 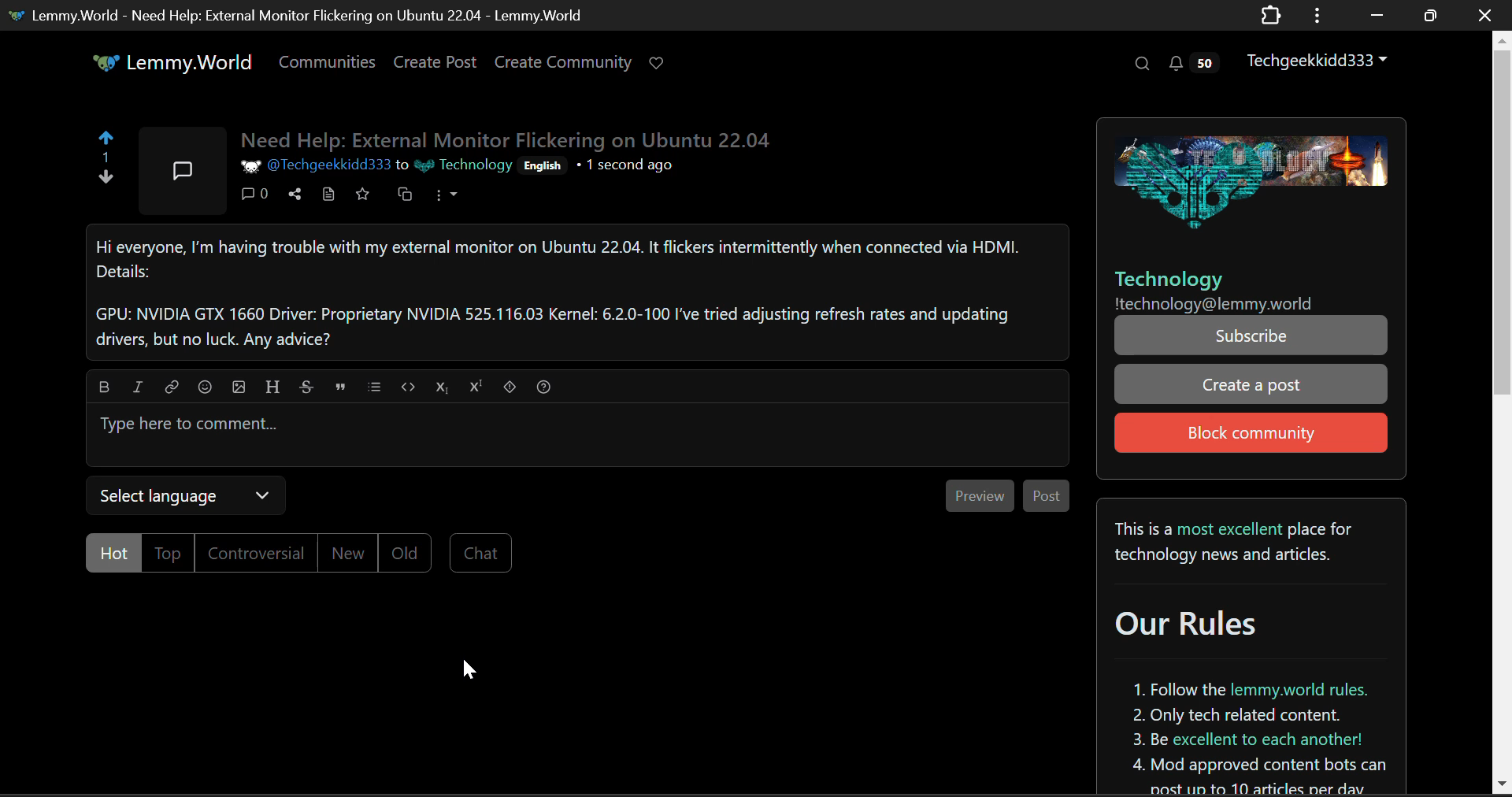 What do you see at coordinates (294, 14) in the screenshot?
I see `Lemmy.World - Need Help: External Monitor Flickering on Ubuntu 22.04 - Lemmy.World` at bounding box center [294, 14].